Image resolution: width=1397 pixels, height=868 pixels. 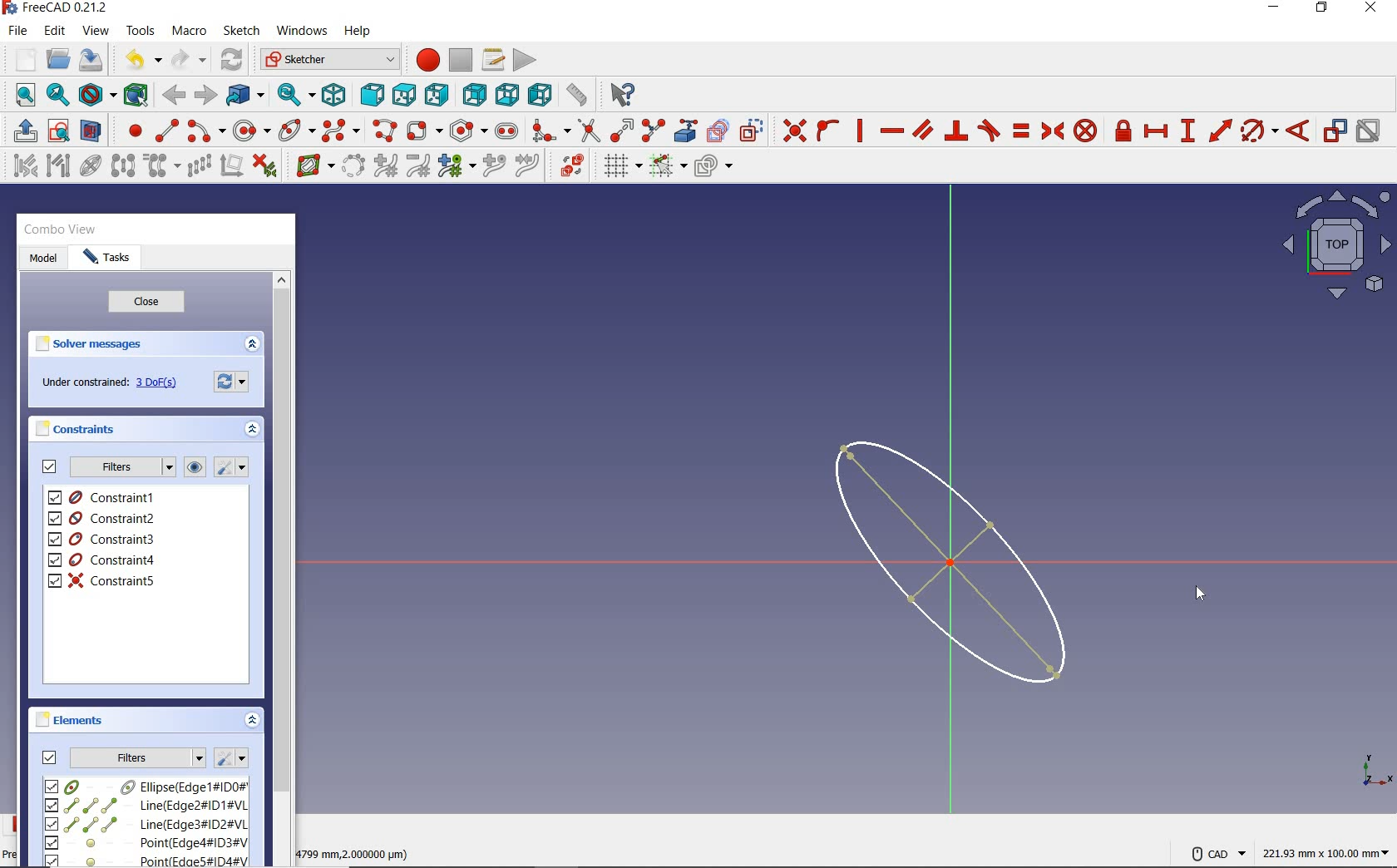 I want to click on switch between workbenches, so click(x=329, y=60).